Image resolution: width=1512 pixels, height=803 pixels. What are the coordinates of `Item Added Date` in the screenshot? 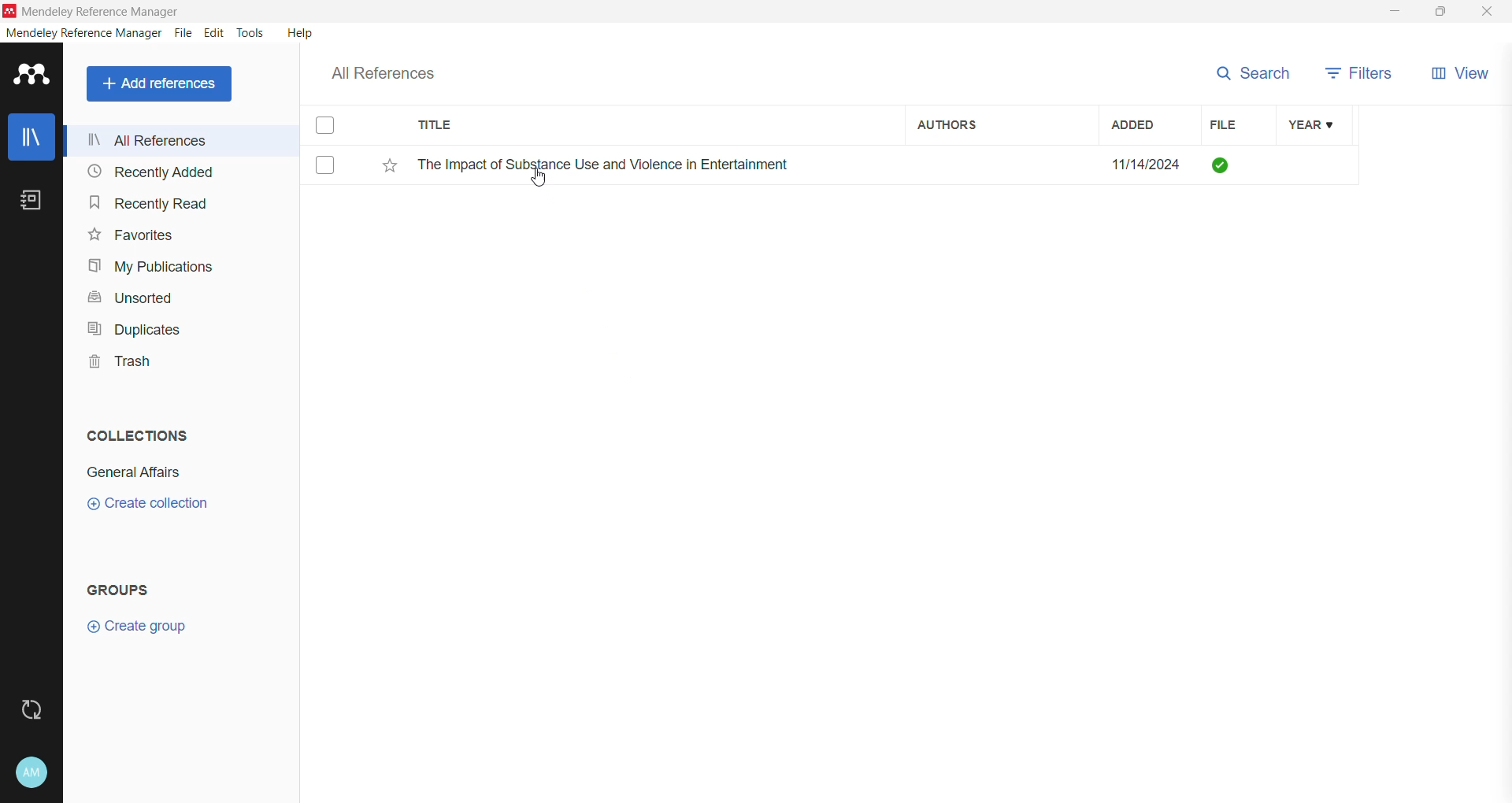 It's located at (1149, 164).